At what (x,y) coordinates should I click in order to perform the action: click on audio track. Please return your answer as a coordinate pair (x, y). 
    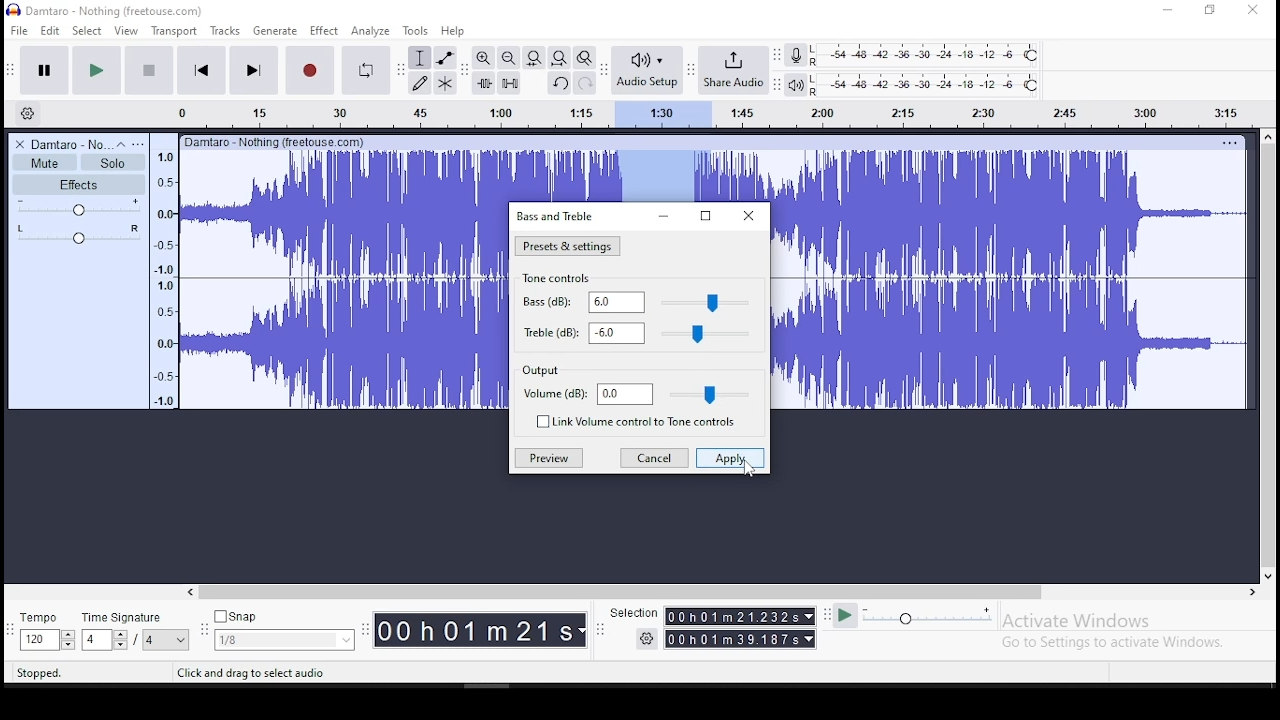
    Looking at the image, I should click on (344, 213).